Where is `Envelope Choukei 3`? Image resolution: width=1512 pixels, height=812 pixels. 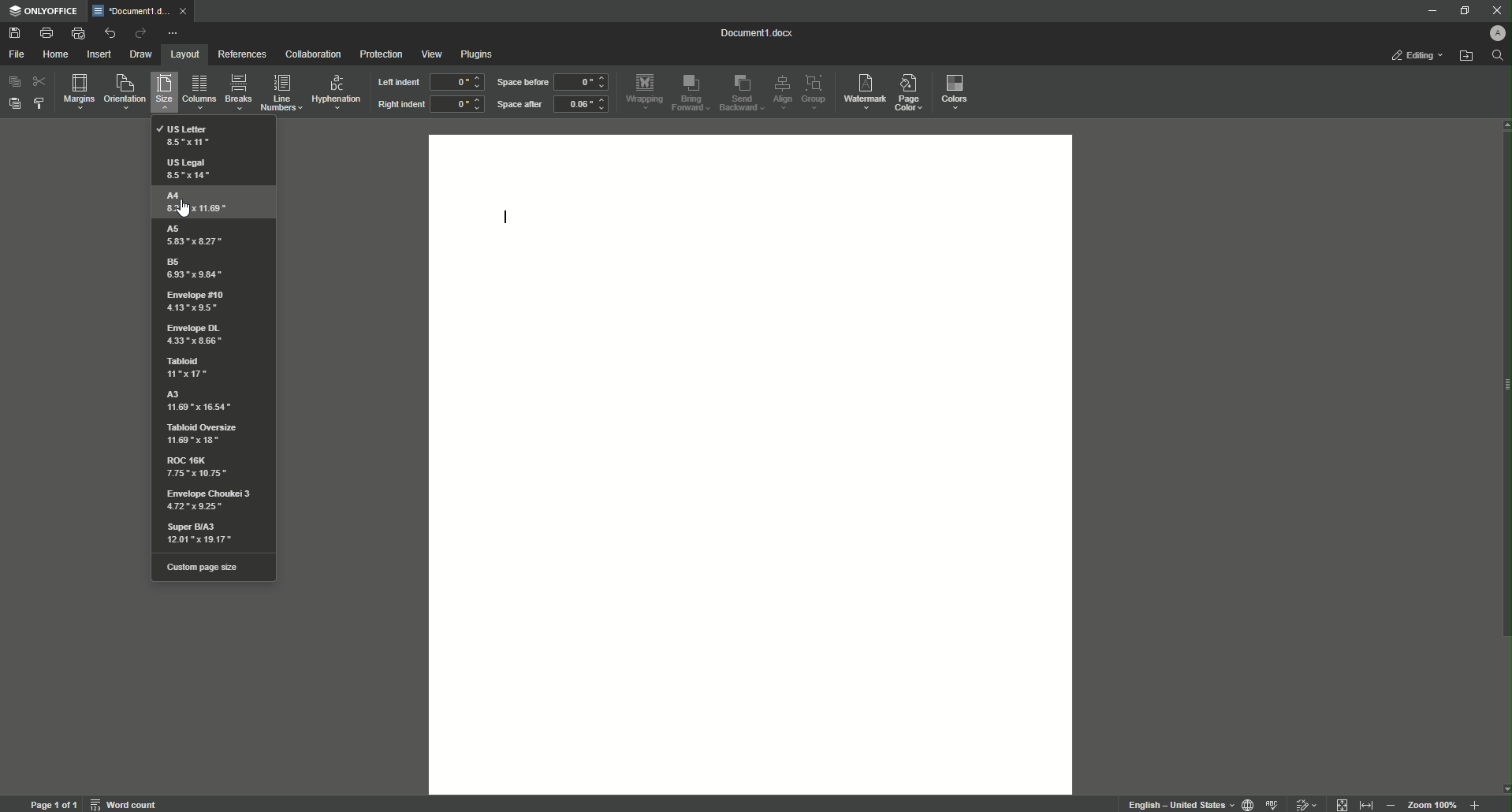
Envelope Choukei 3 is located at coordinates (209, 500).